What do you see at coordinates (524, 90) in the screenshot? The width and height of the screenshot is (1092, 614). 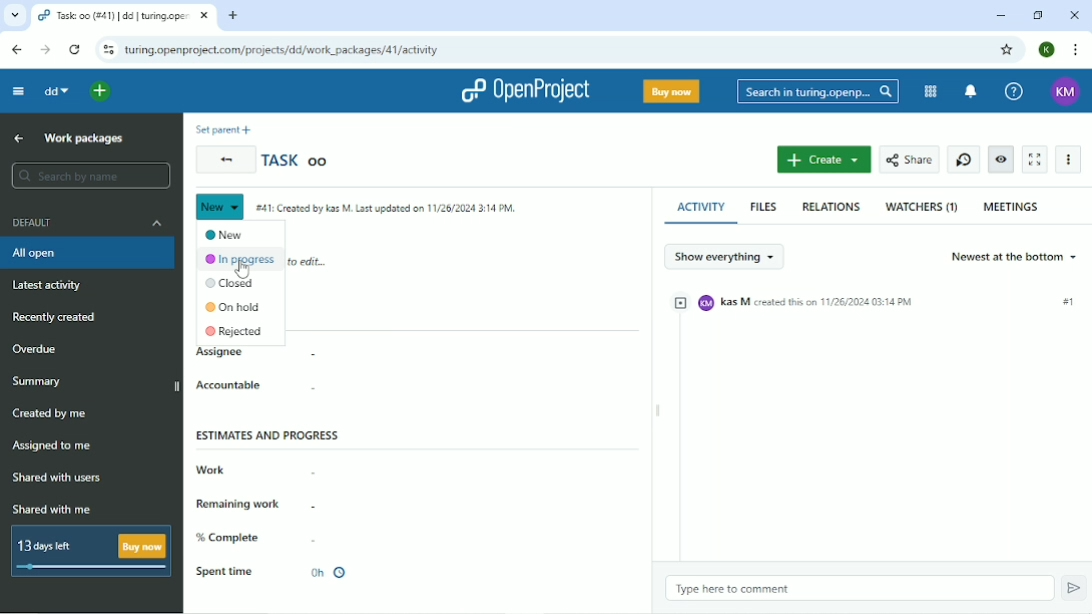 I see `OpenProject` at bounding box center [524, 90].